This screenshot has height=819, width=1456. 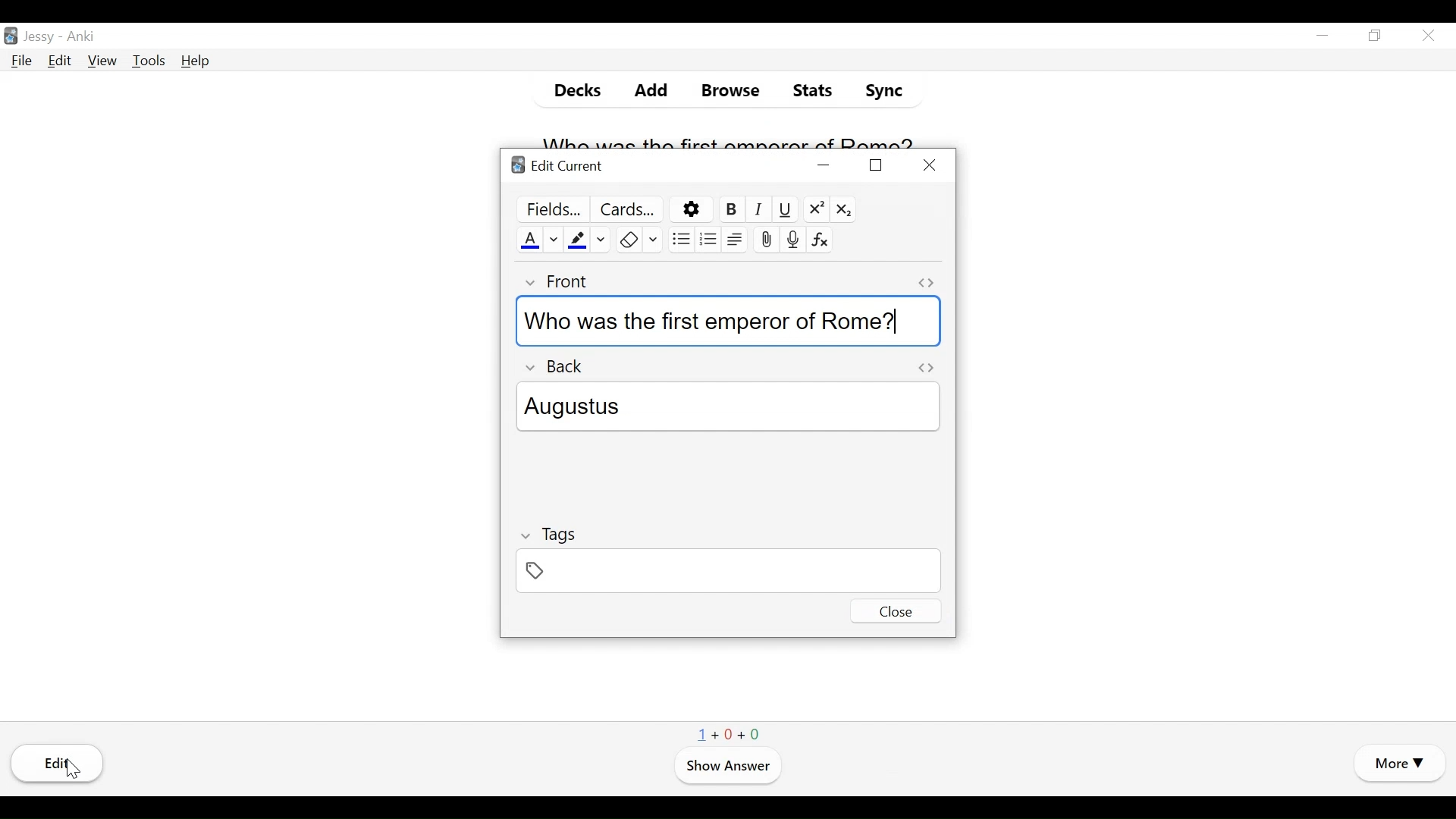 I want to click on Show Answer, so click(x=726, y=767).